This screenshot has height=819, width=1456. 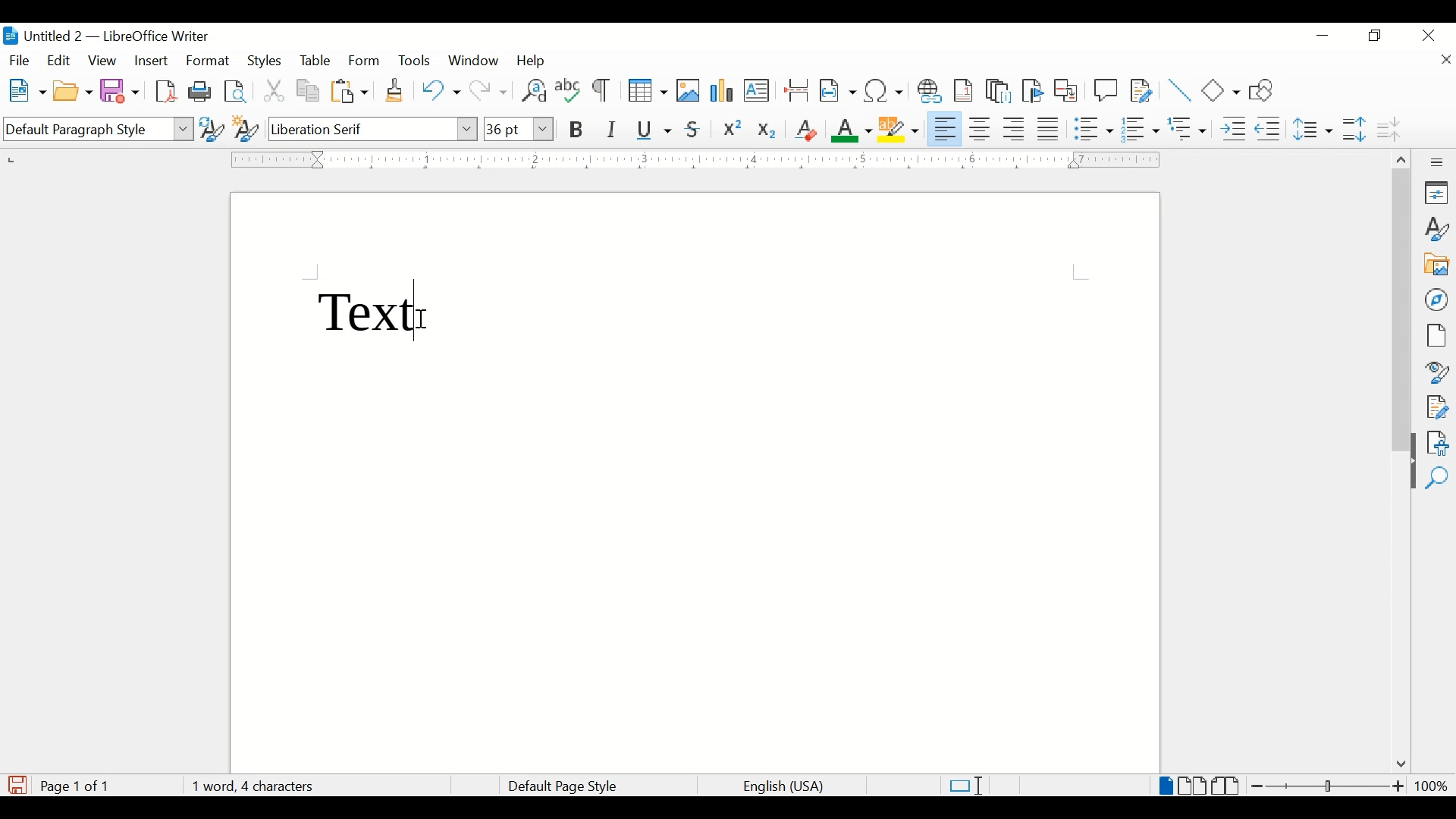 I want to click on margin, so click(x=692, y=159).